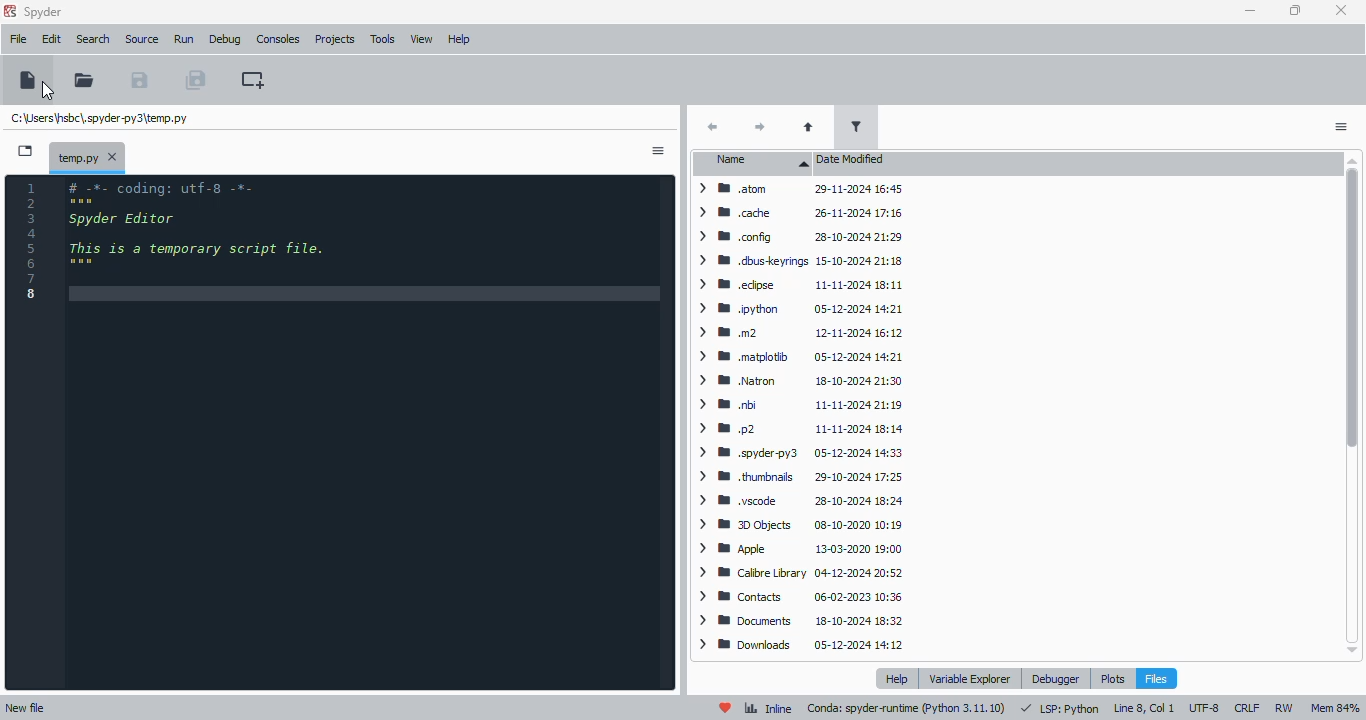 This screenshot has height=720, width=1366. Describe the element at coordinates (801, 310) in the screenshot. I see `> WM python 05-12-2024 14:21` at that location.